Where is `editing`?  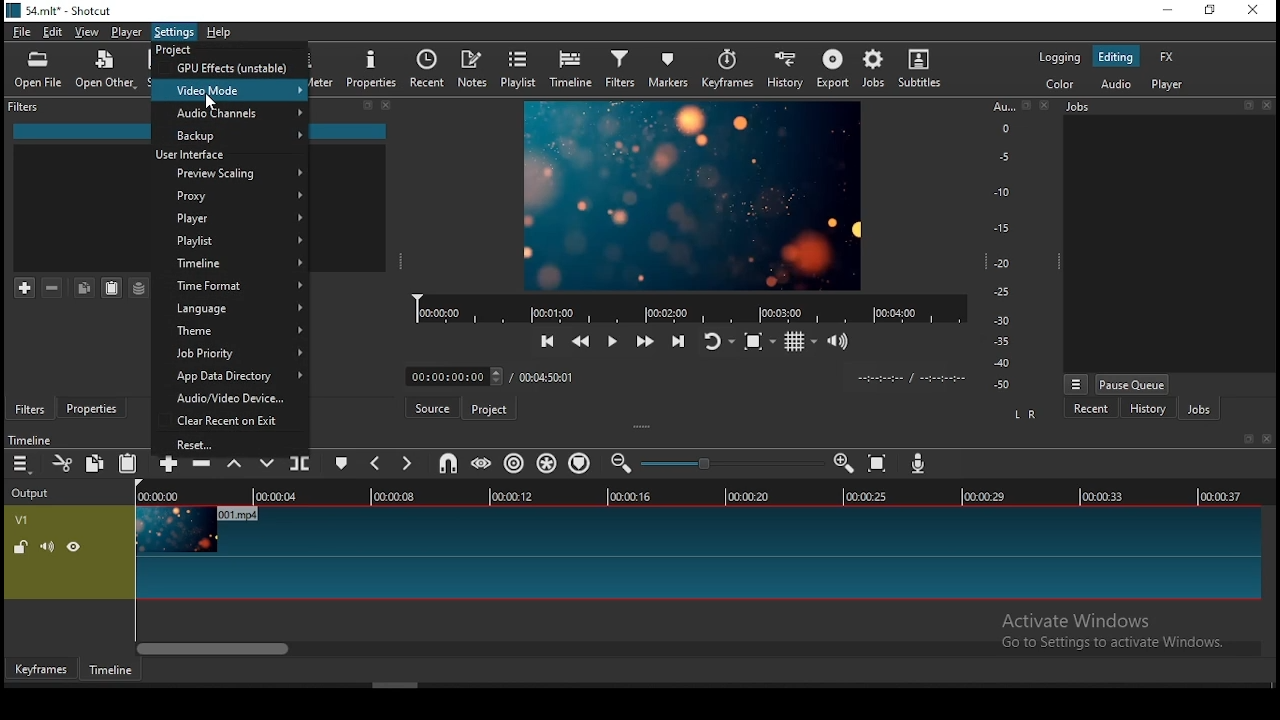 editing is located at coordinates (1116, 57).